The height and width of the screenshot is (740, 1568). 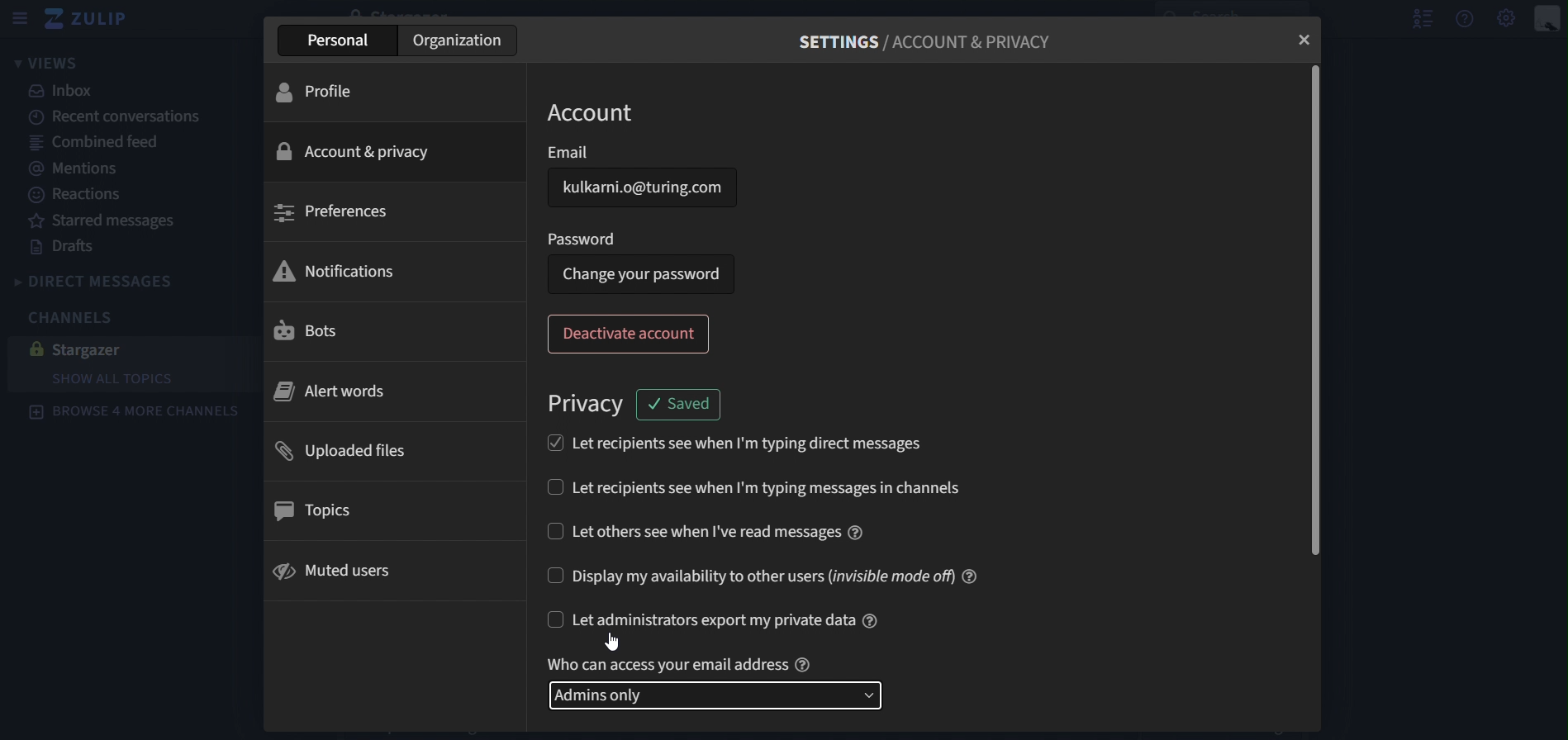 I want to click on bots, so click(x=312, y=329).